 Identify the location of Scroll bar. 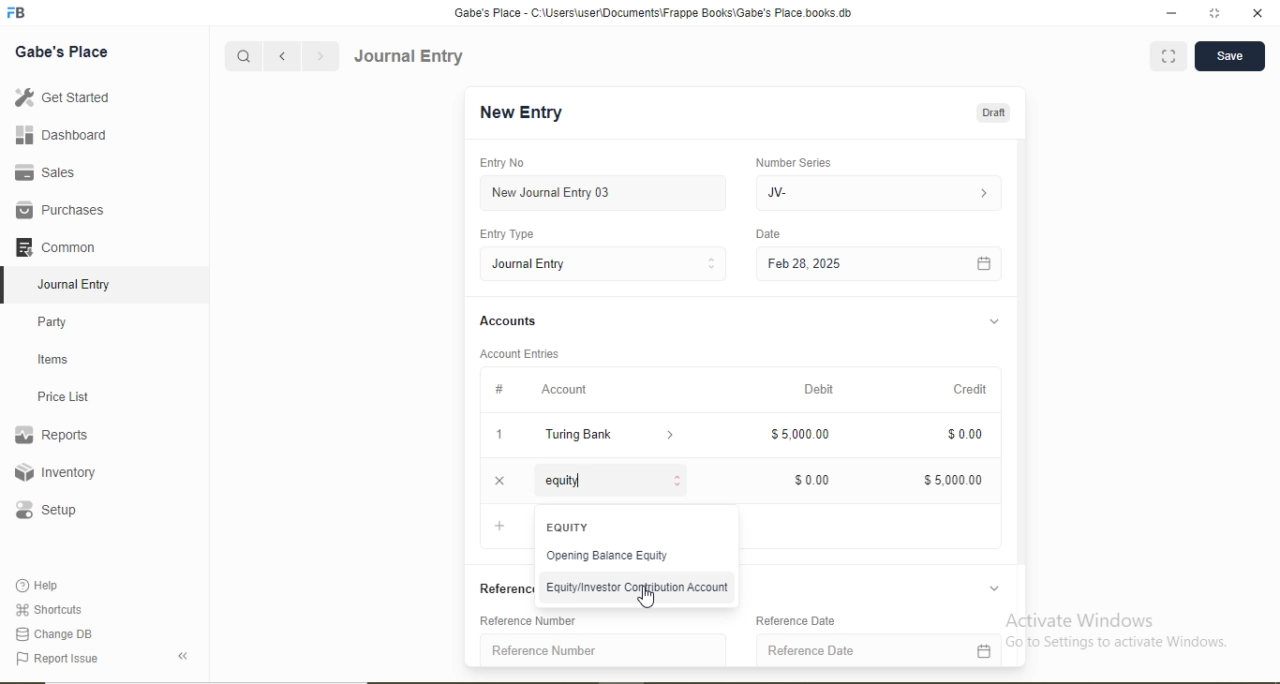
(1021, 386).